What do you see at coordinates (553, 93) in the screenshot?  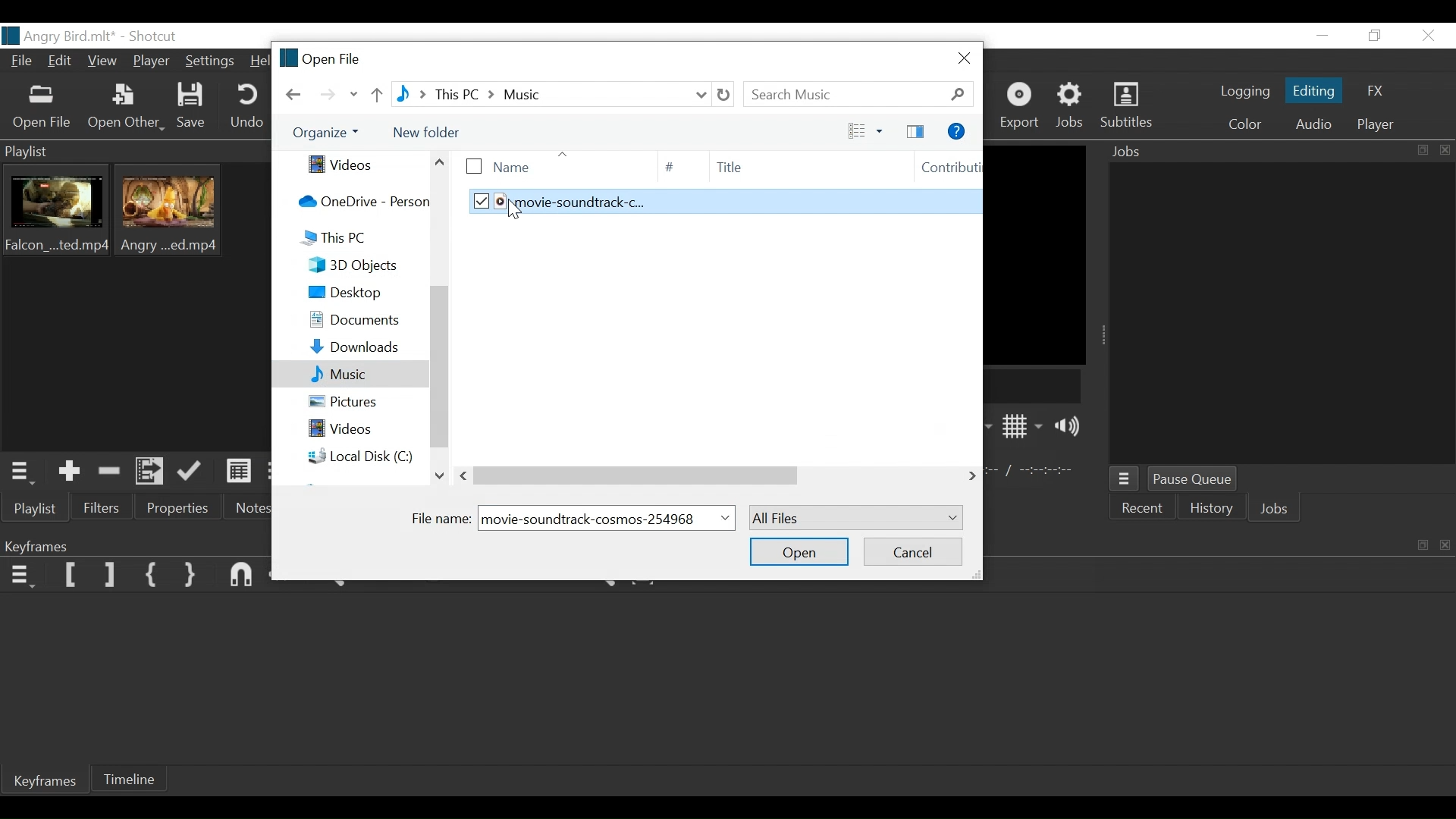 I see `File Path` at bounding box center [553, 93].